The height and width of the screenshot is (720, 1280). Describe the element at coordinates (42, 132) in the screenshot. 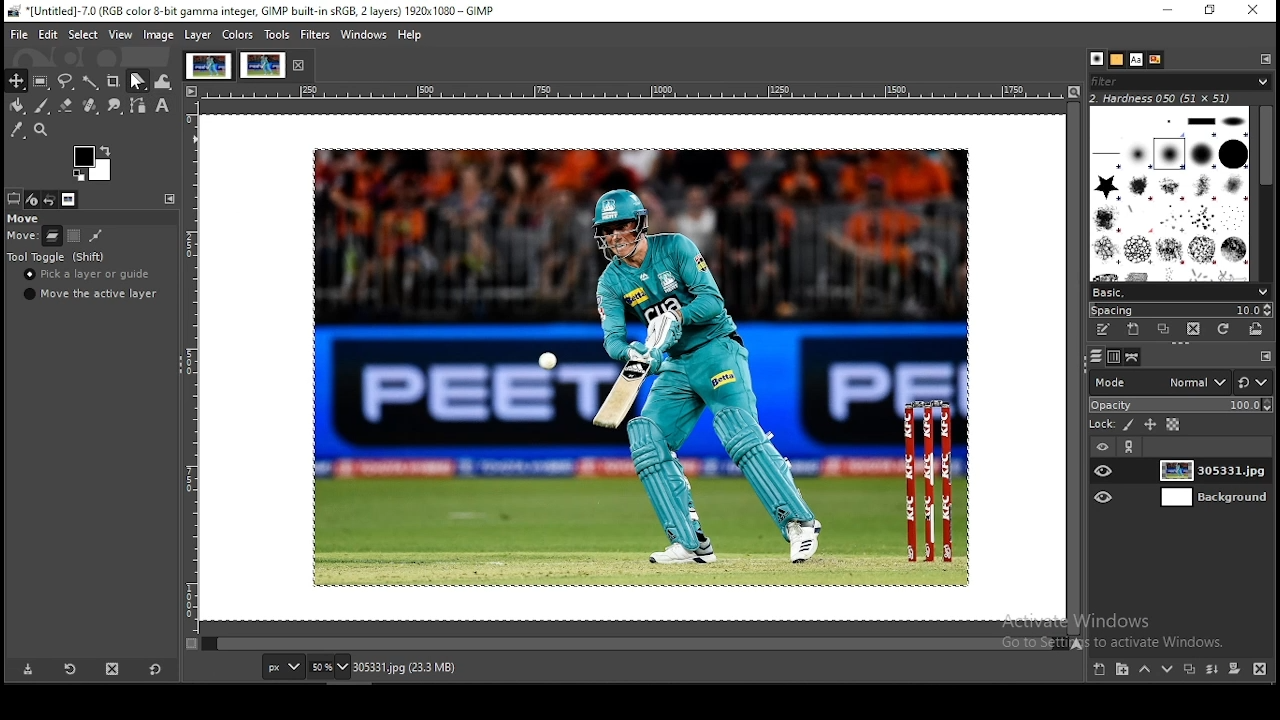

I see `zoom tool` at that location.